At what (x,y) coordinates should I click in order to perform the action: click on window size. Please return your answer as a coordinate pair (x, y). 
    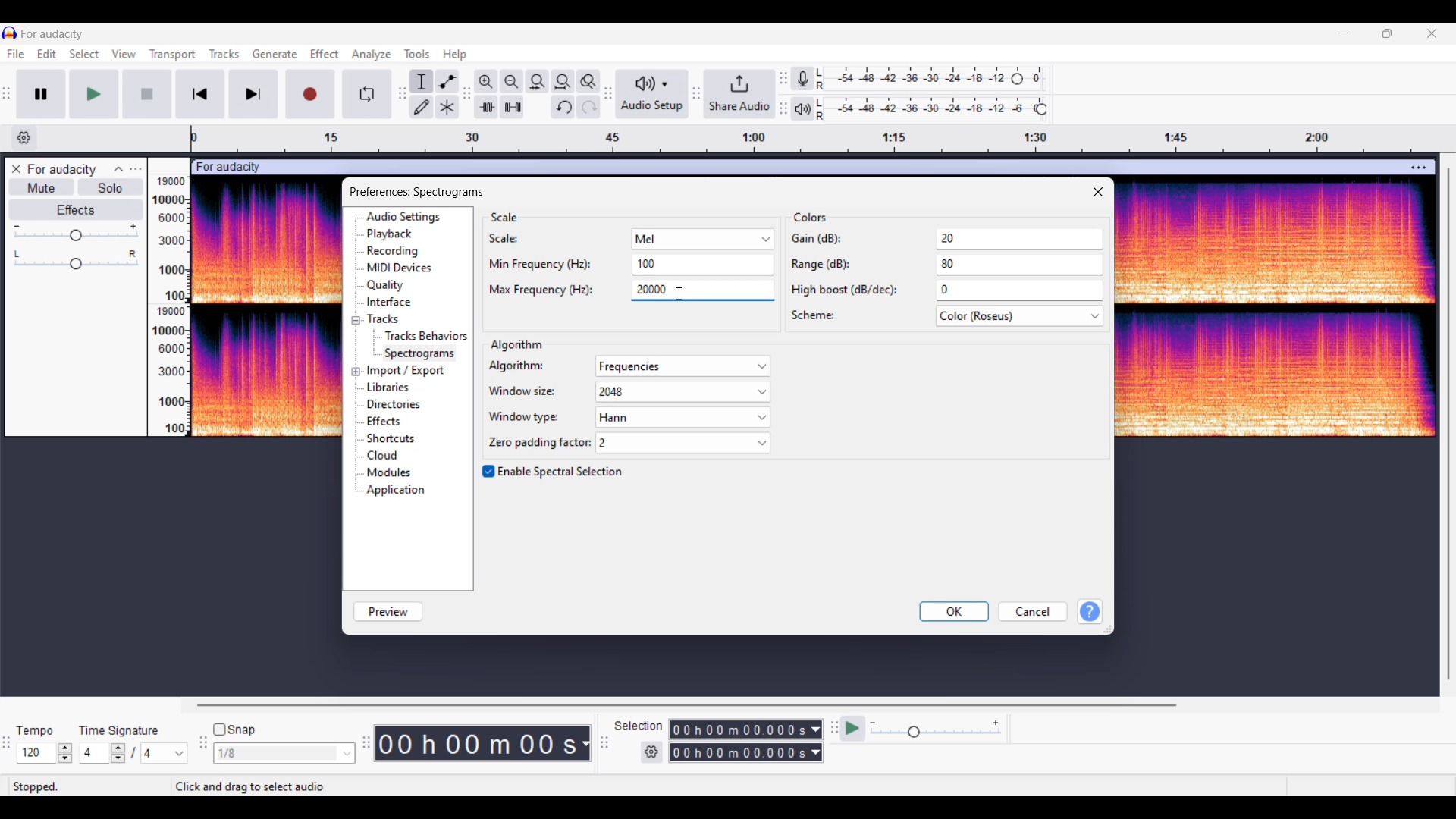
    Looking at the image, I should click on (626, 394).